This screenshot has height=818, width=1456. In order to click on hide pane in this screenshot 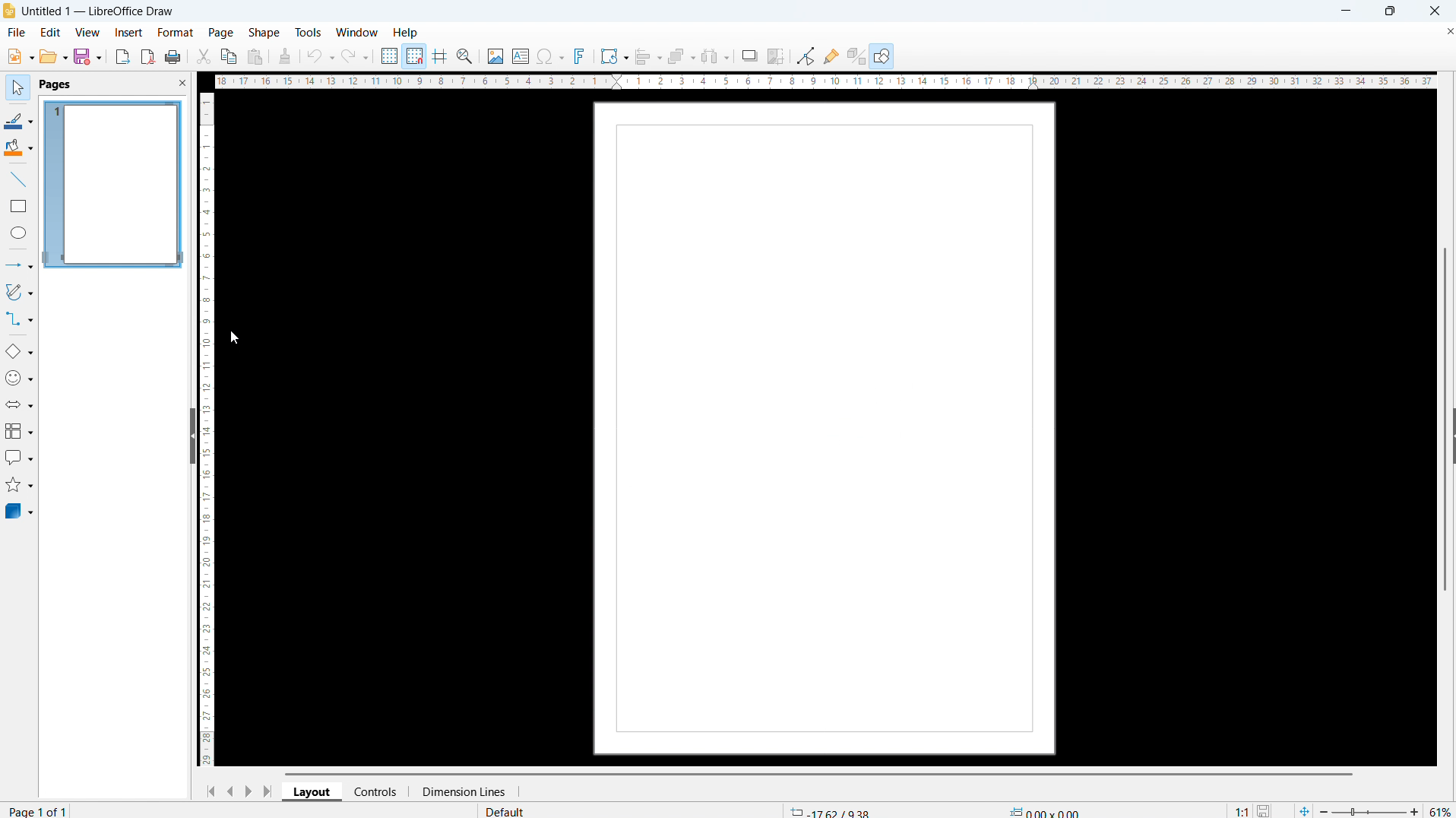, I will do `click(193, 437)`.